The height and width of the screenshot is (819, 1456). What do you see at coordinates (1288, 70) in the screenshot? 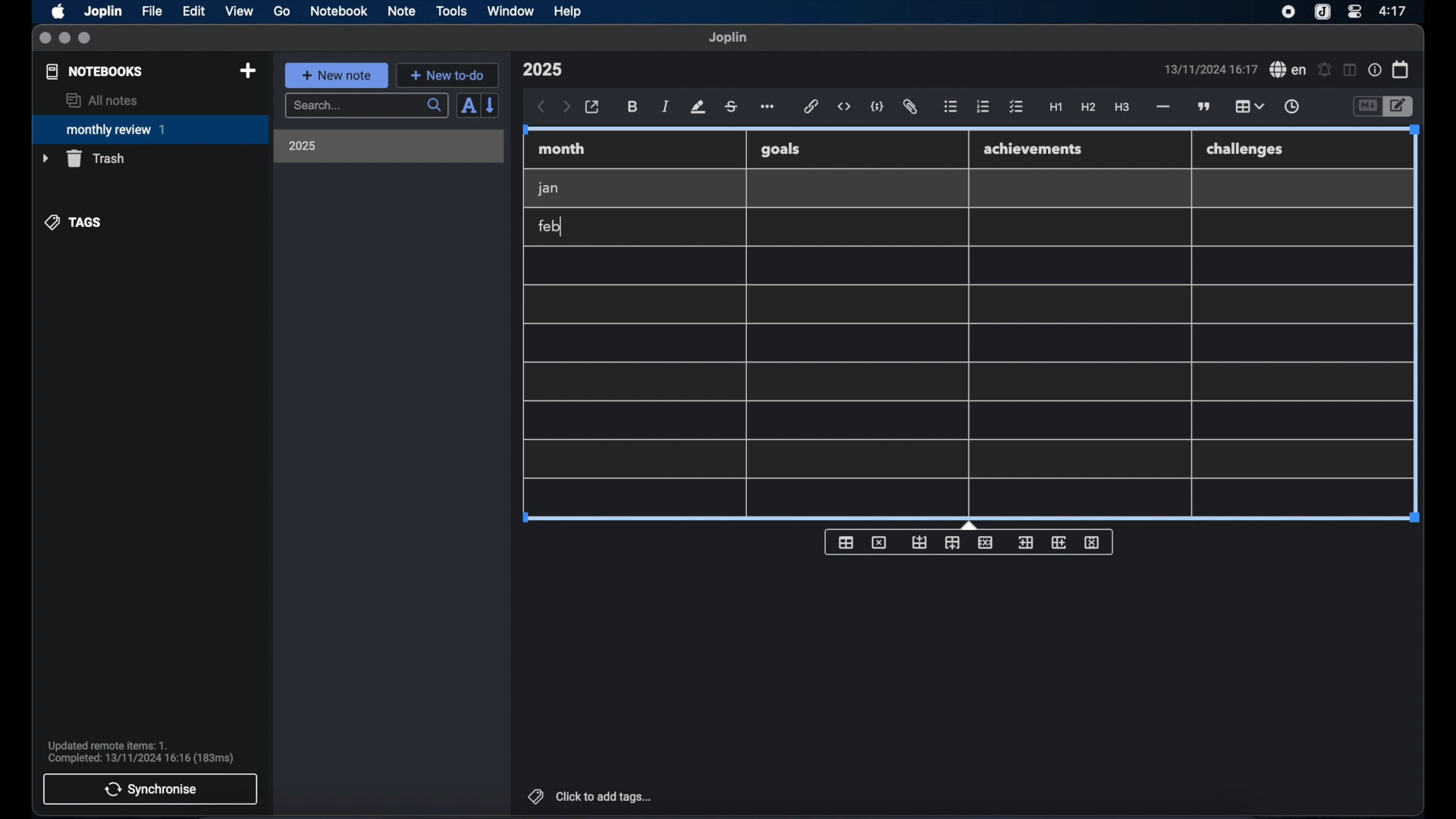
I see `spel check` at bounding box center [1288, 70].